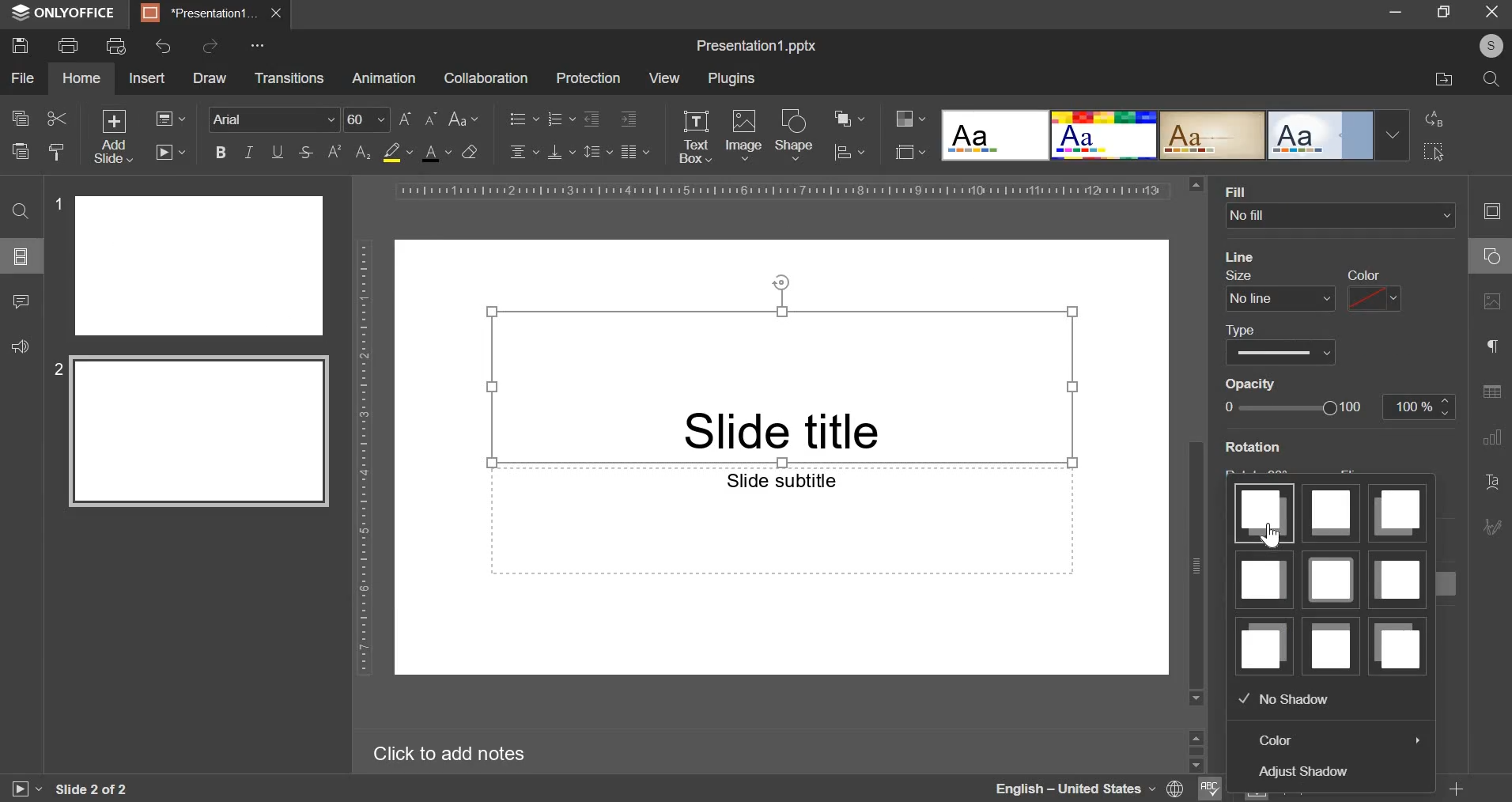  I want to click on text box, so click(694, 137).